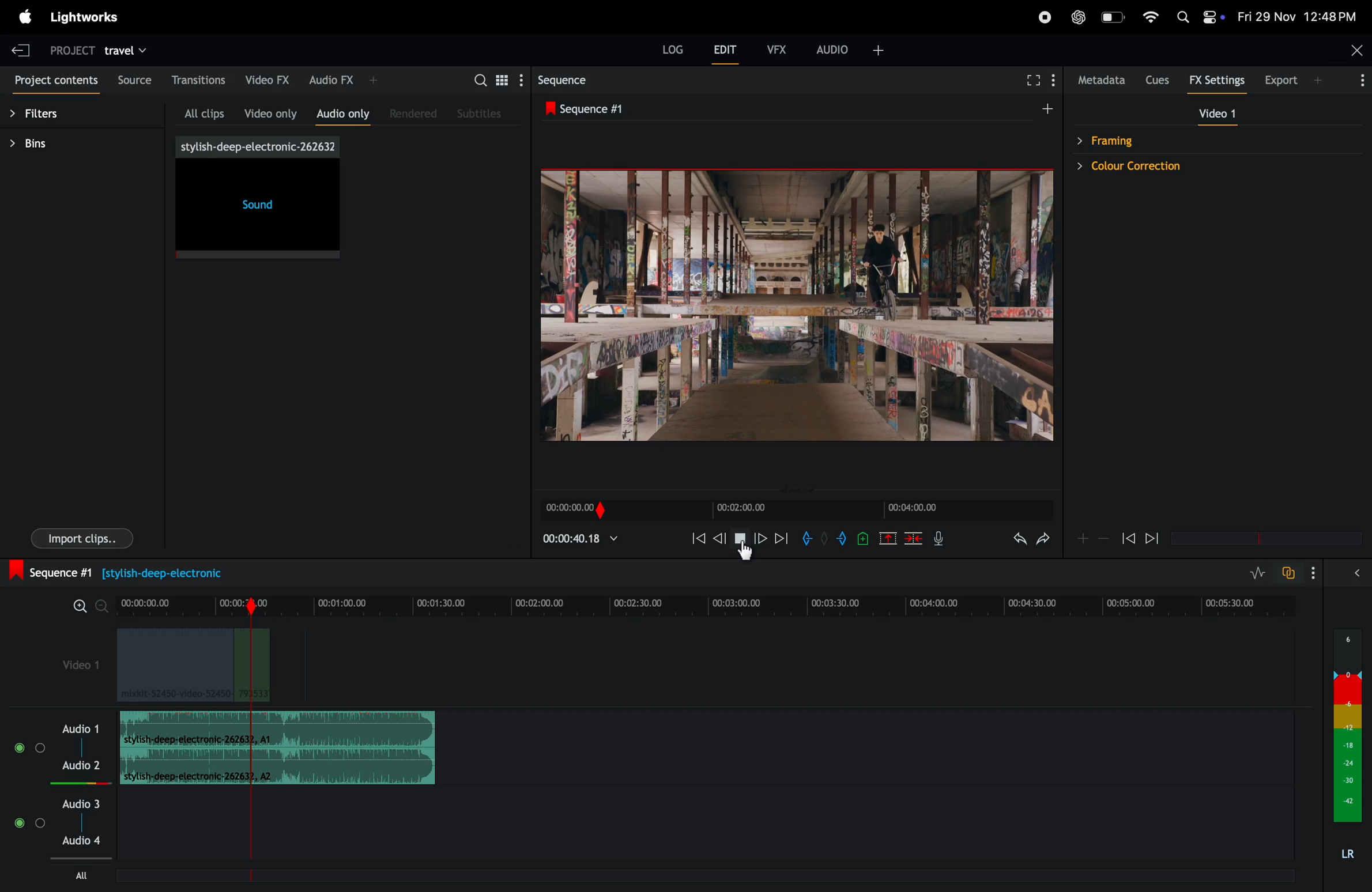 The width and height of the screenshot is (1372, 892). Describe the element at coordinates (1044, 542) in the screenshot. I see `redo` at that location.